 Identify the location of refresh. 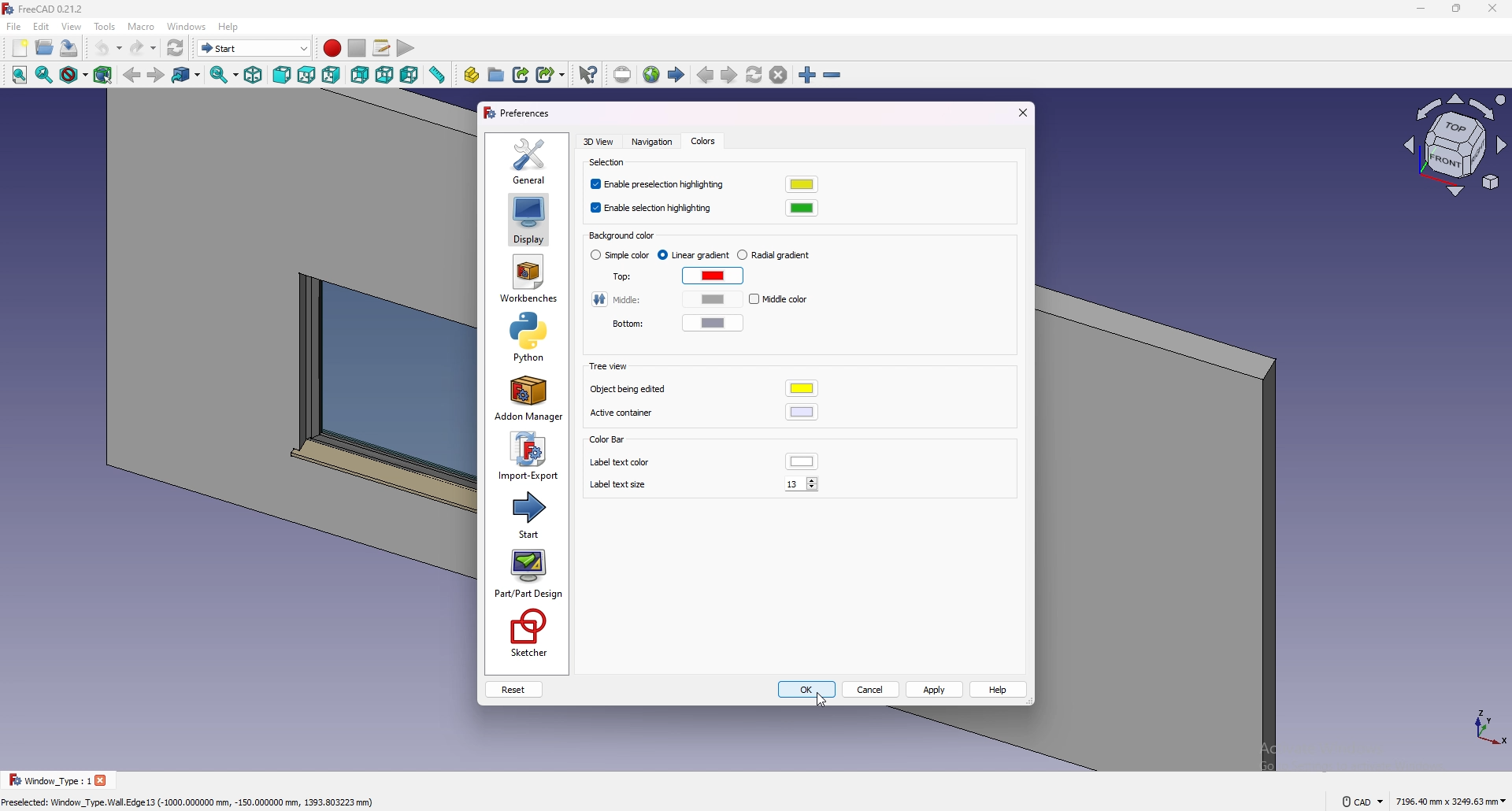
(176, 48).